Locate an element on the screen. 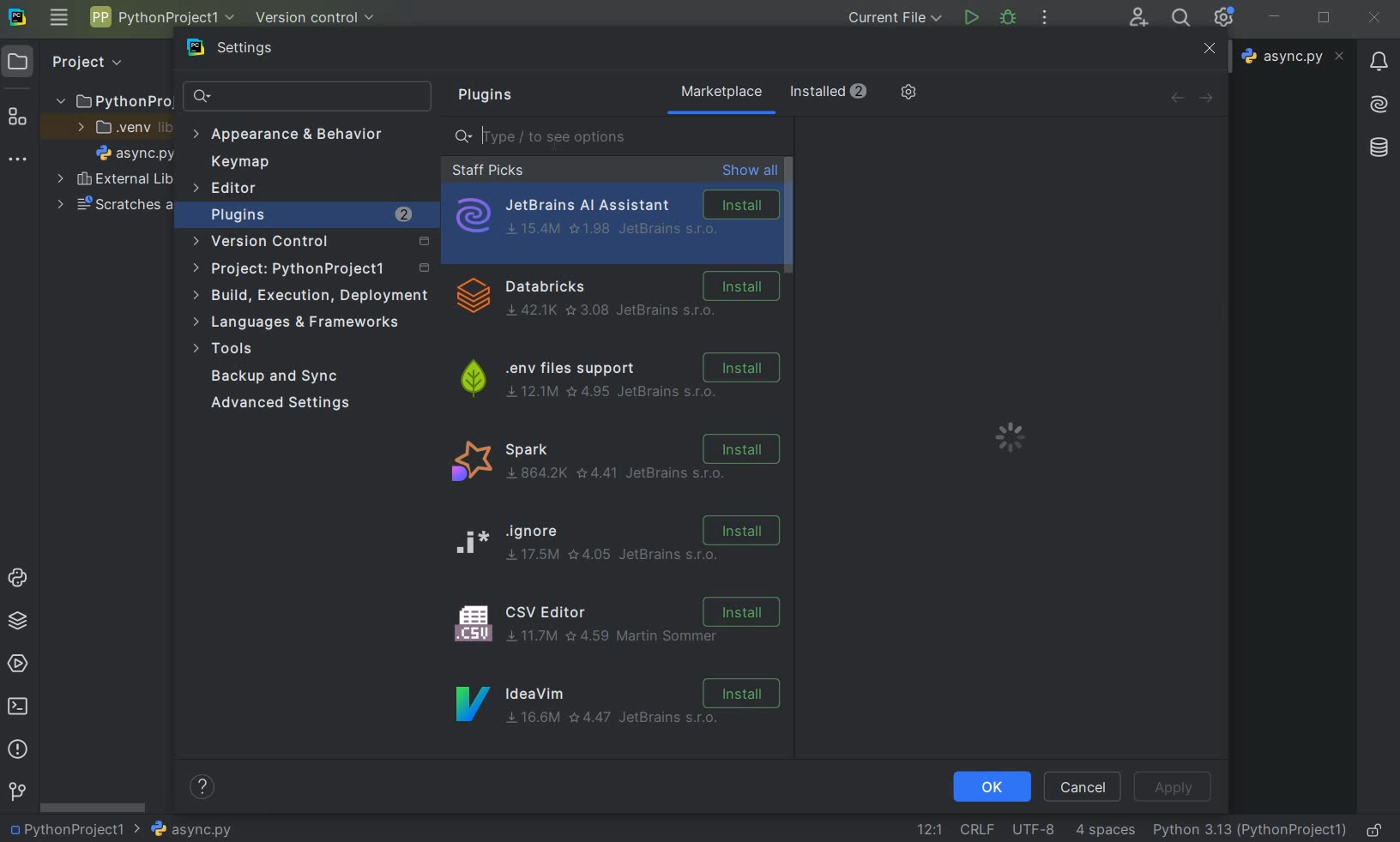 The height and width of the screenshot is (842, 1400). Project is located at coordinates (87, 63).